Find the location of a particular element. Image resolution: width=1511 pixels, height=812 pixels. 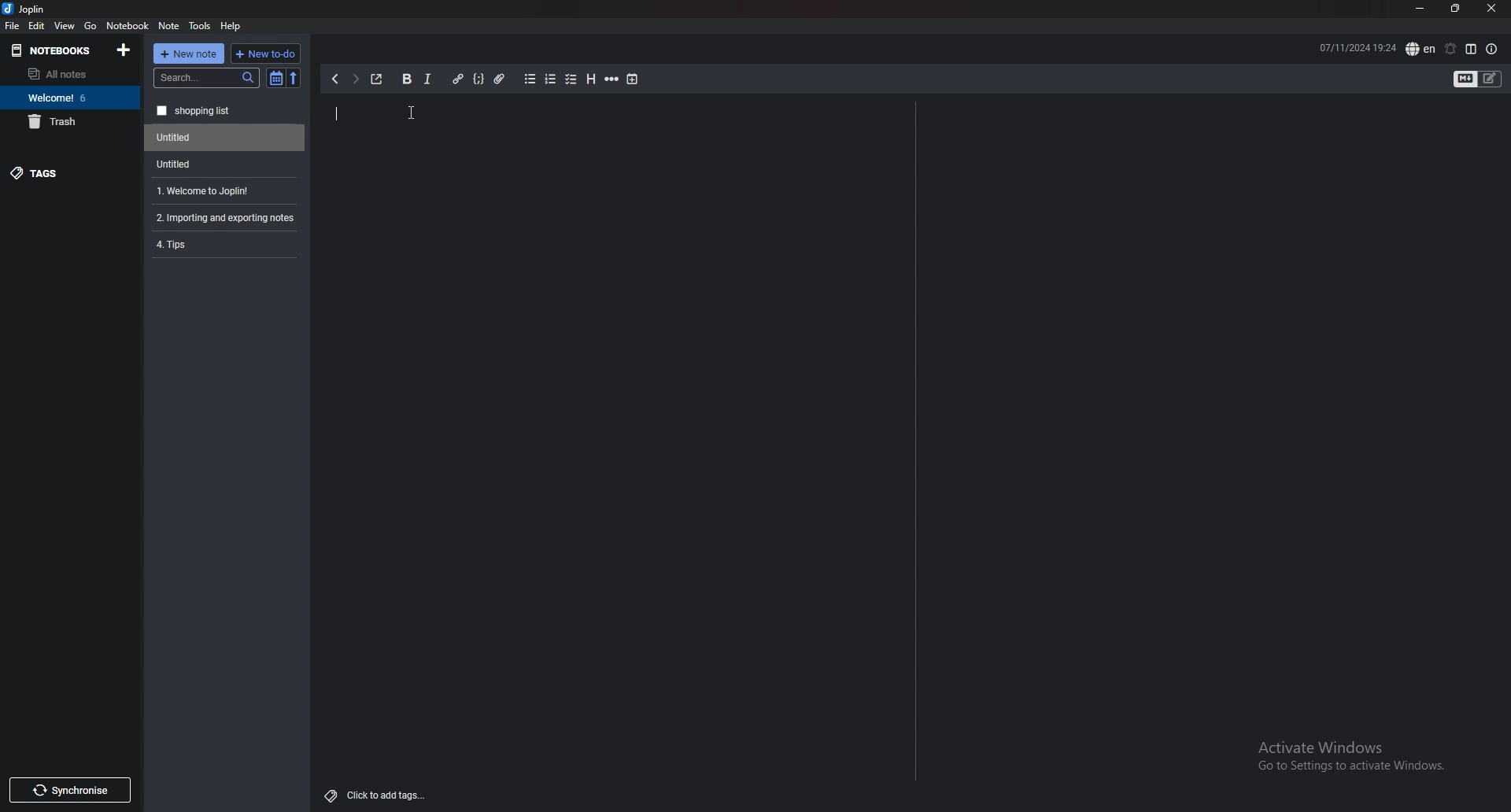

reverse sort order is located at coordinates (294, 79).